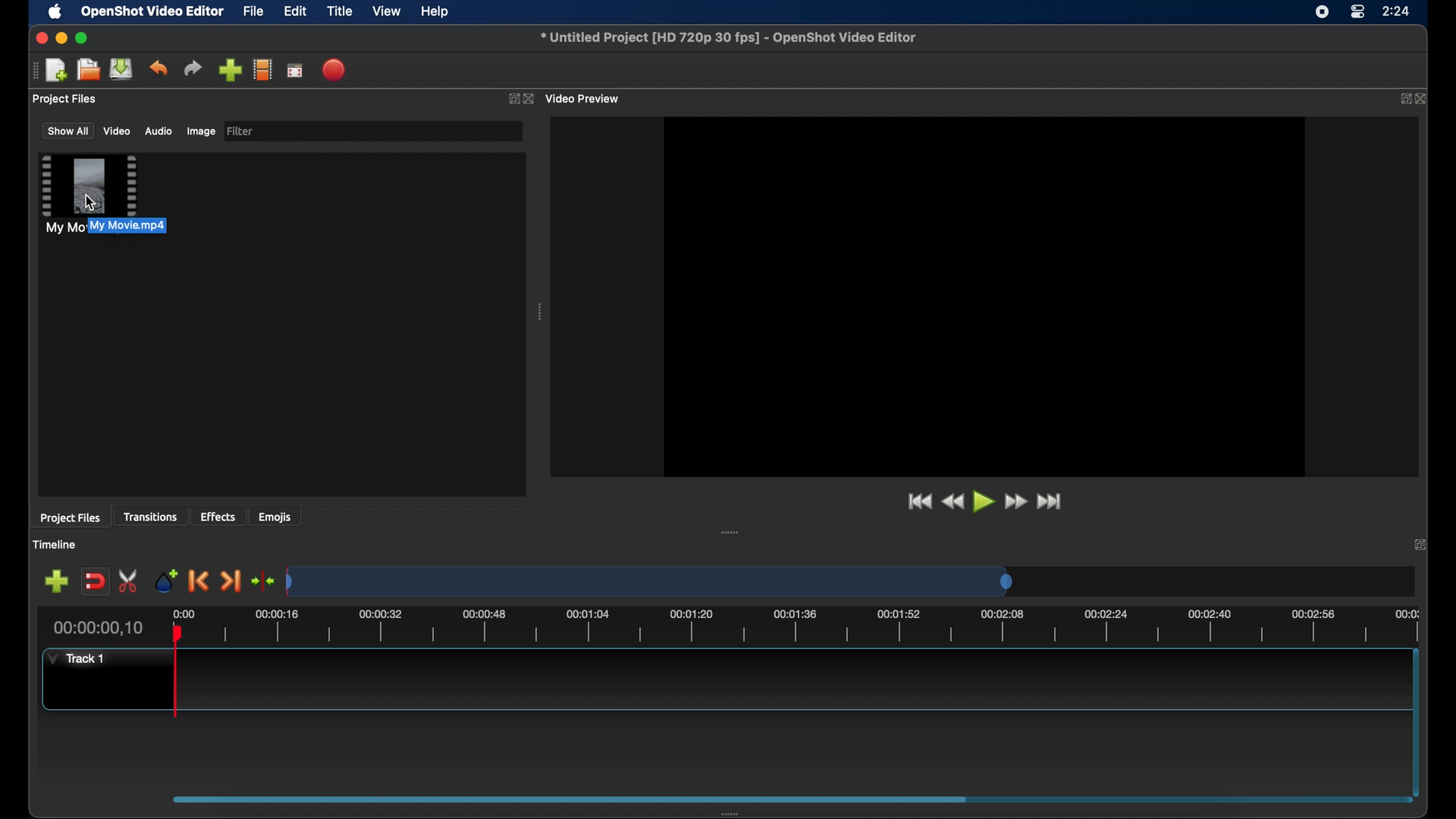 The width and height of the screenshot is (1456, 819). What do you see at coordinates (88, 70) in the screenshot?
I see `open project` at bounding box center [88, 70].